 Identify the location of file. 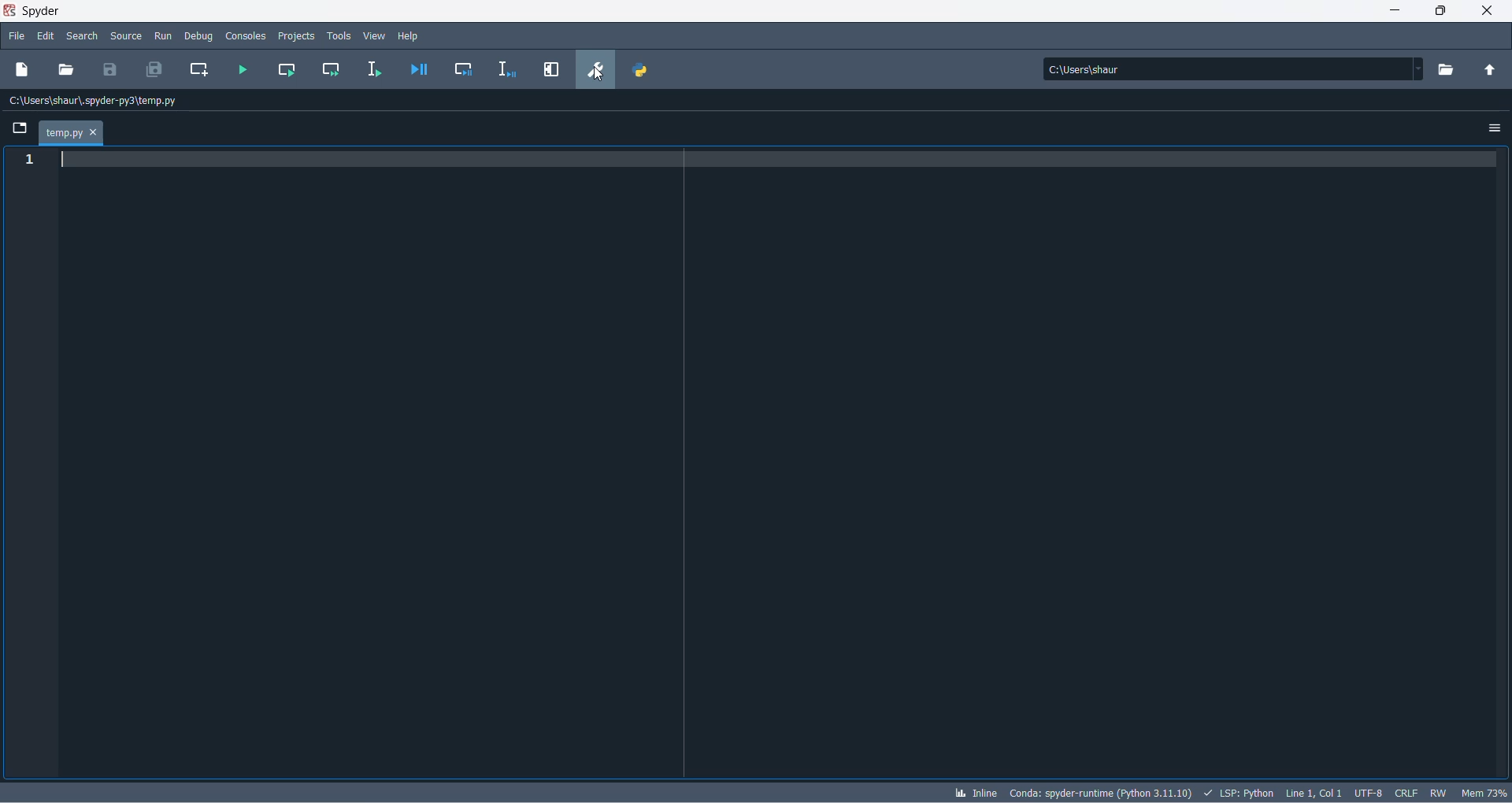
(18, 35).